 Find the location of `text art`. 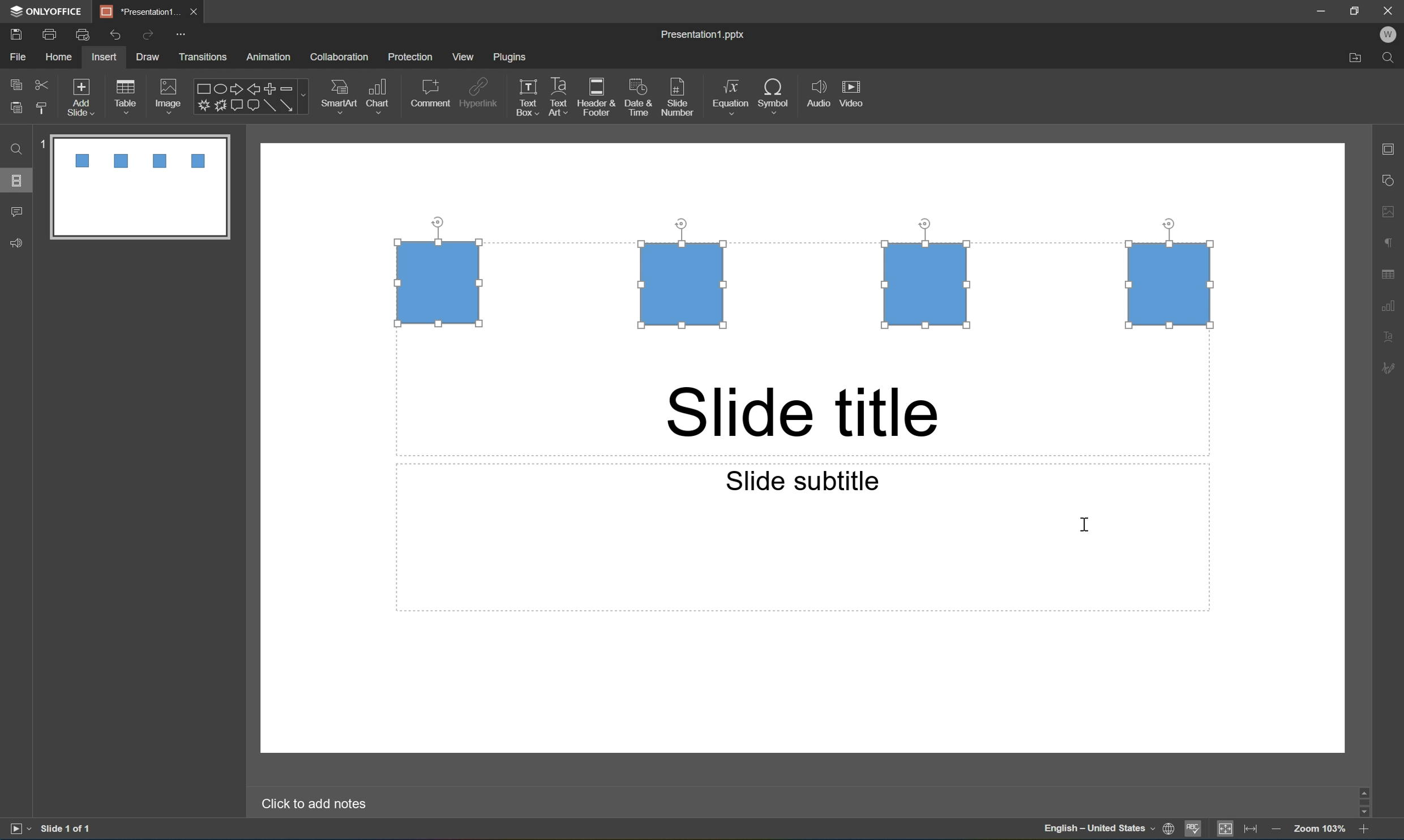

text art is located at coordinates (555, 98).